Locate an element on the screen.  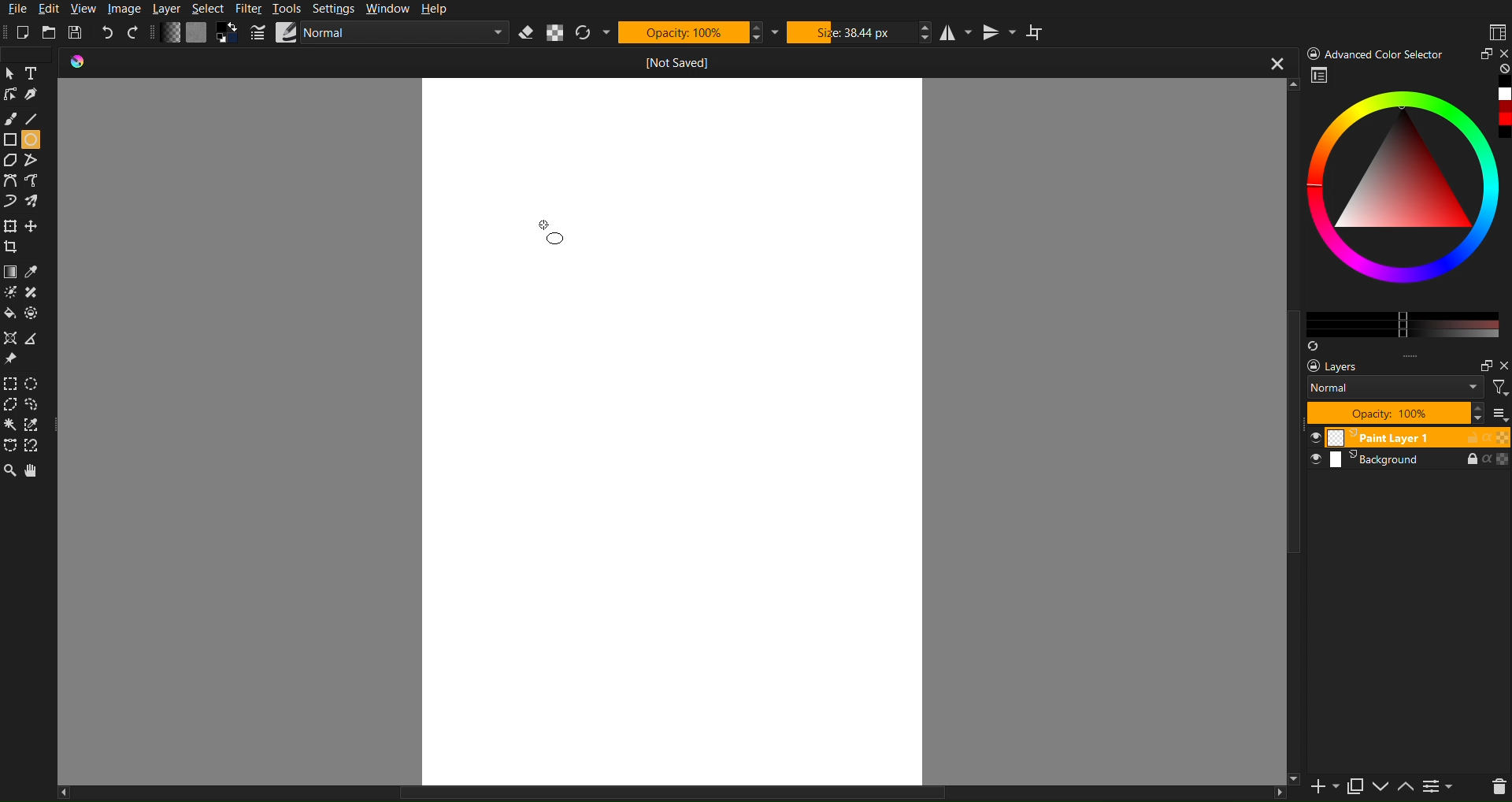
Curve is located at coordinates (9, 201).